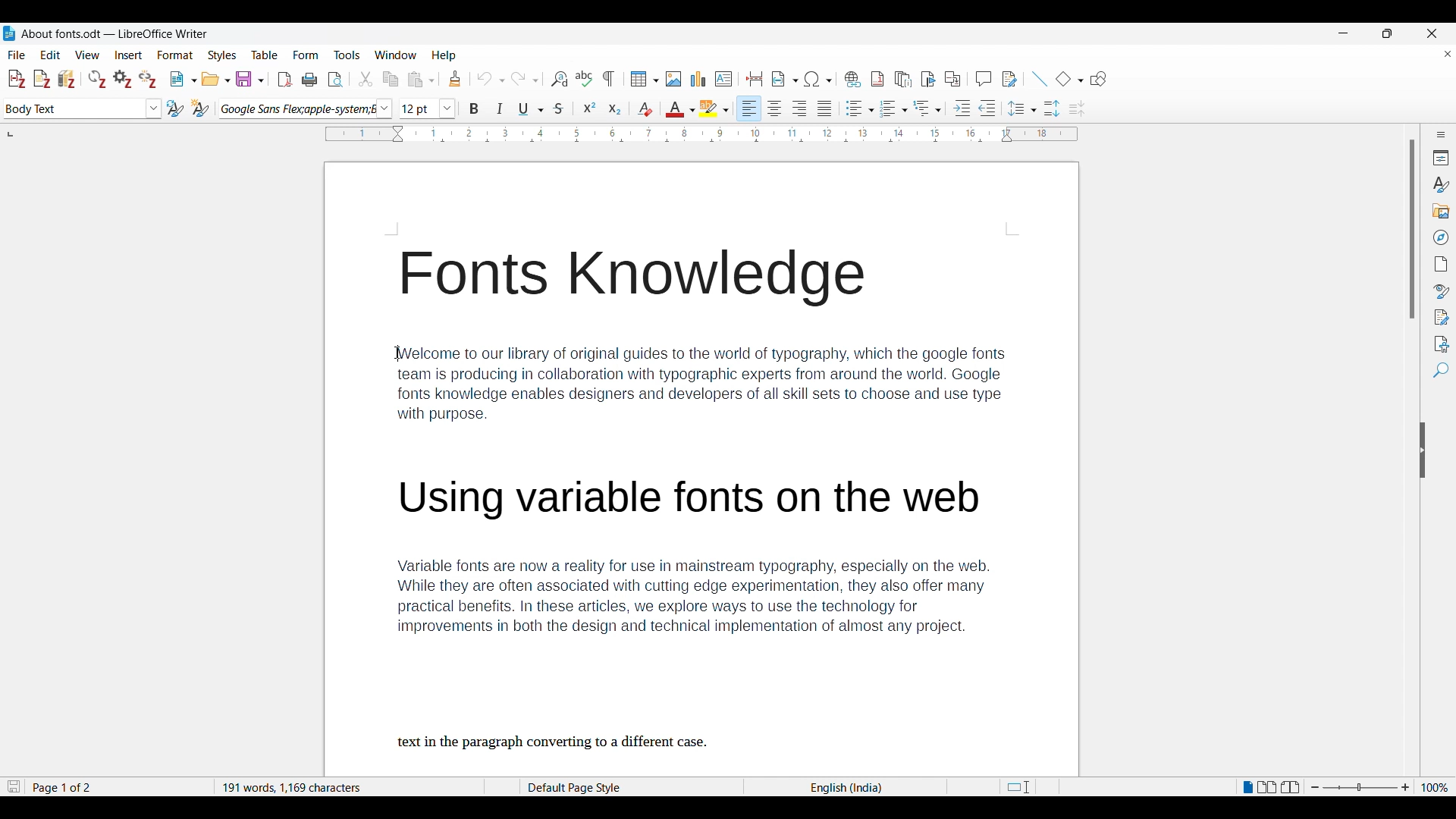 The image size is (1456, 819). I want to click on Toggle print preview, so click(337, 80).